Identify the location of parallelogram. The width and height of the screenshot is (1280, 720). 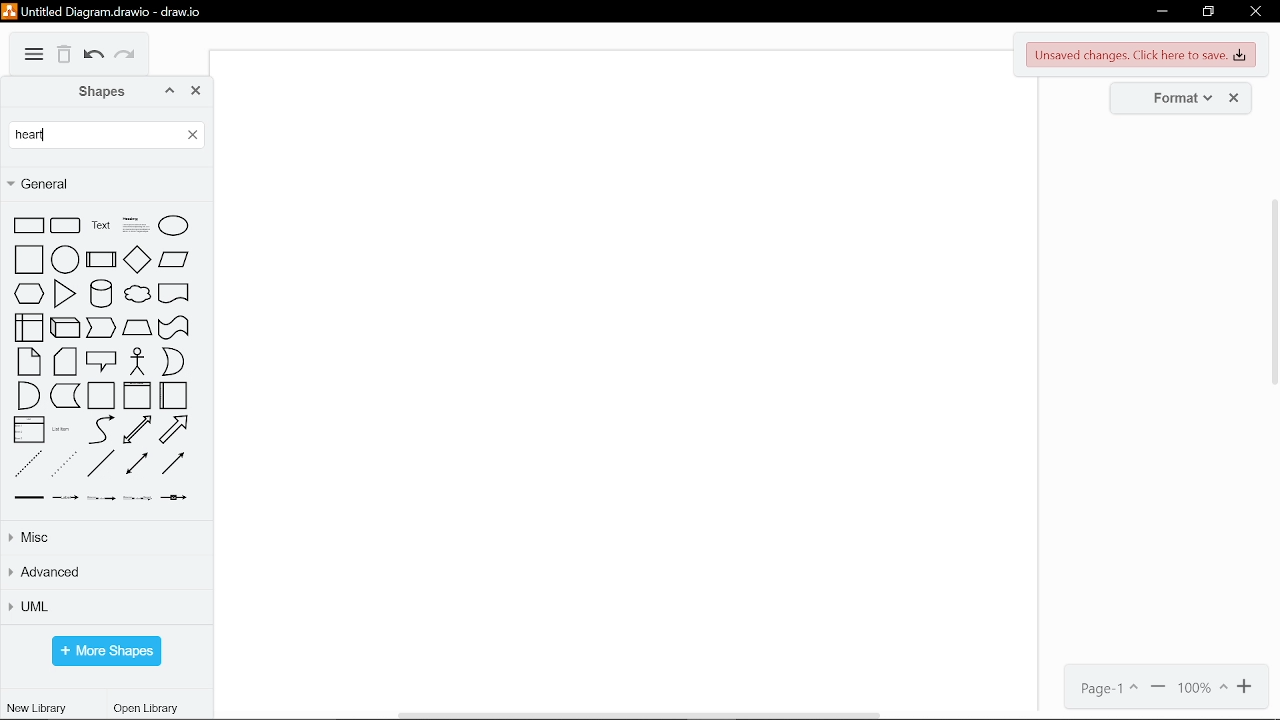
(175, 259).